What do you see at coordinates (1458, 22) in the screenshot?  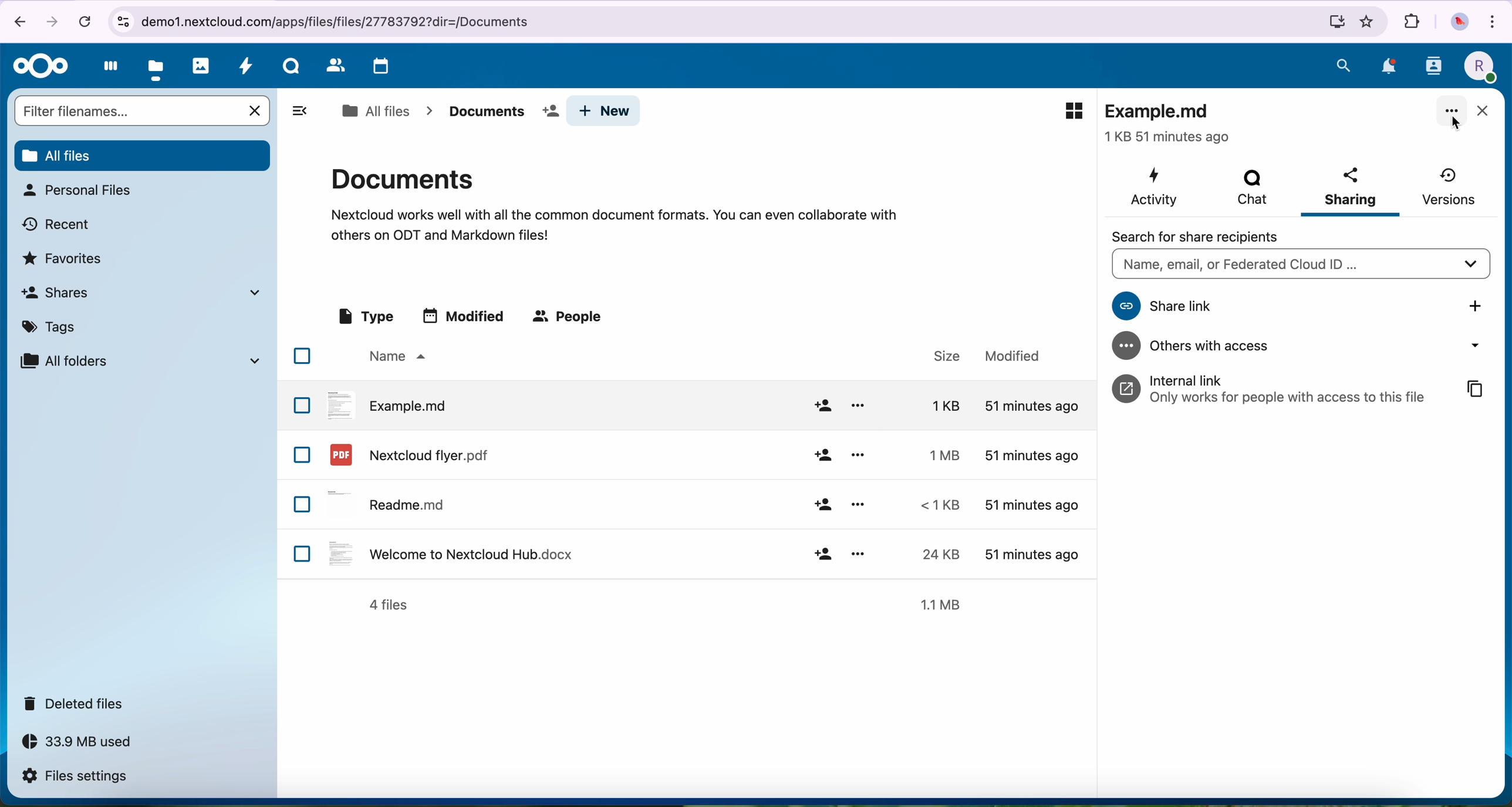 I see `profile picture` at bounding box center [1458, 22].